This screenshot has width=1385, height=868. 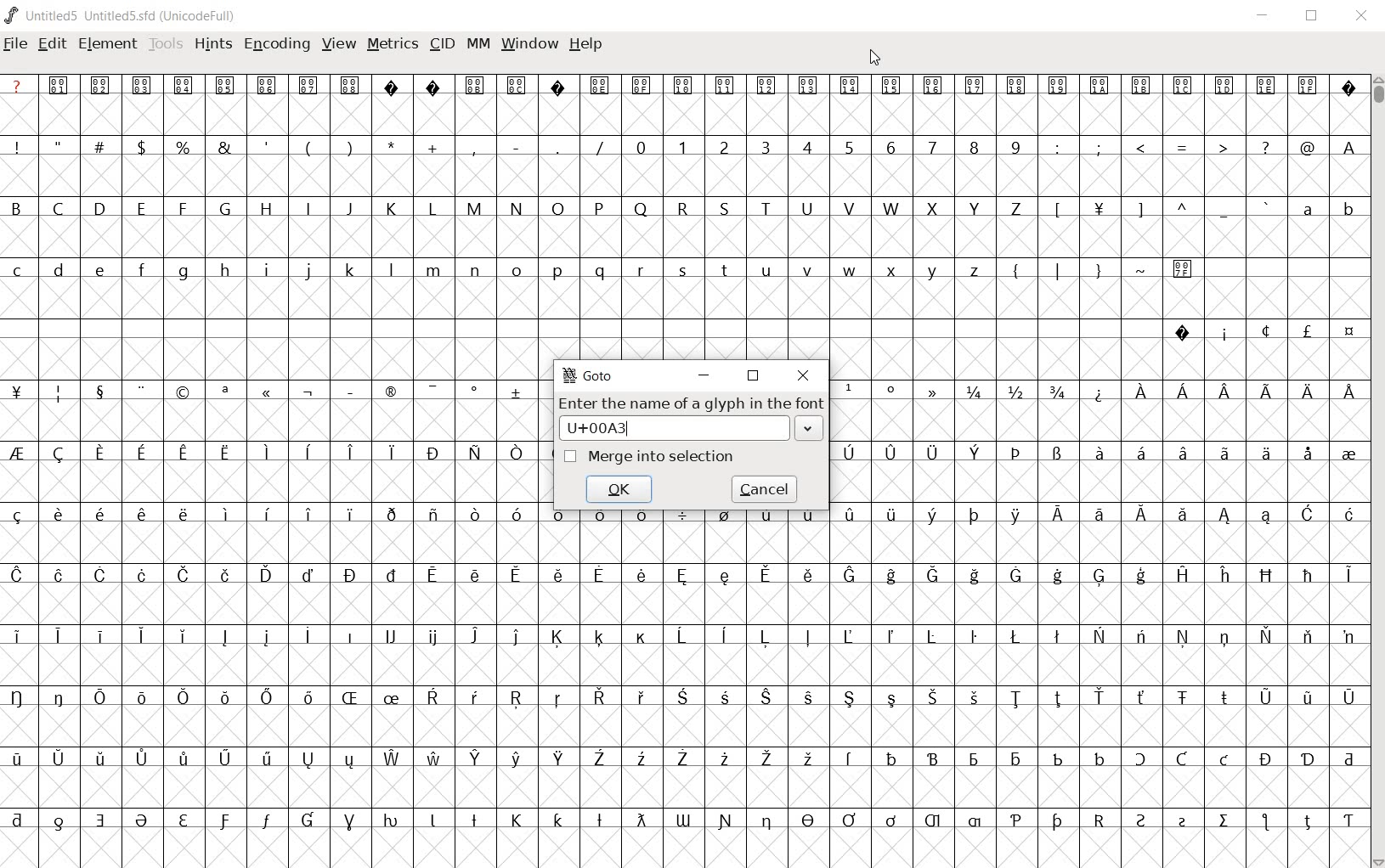 I want to click on Symbol, so click(x=514, y=575).